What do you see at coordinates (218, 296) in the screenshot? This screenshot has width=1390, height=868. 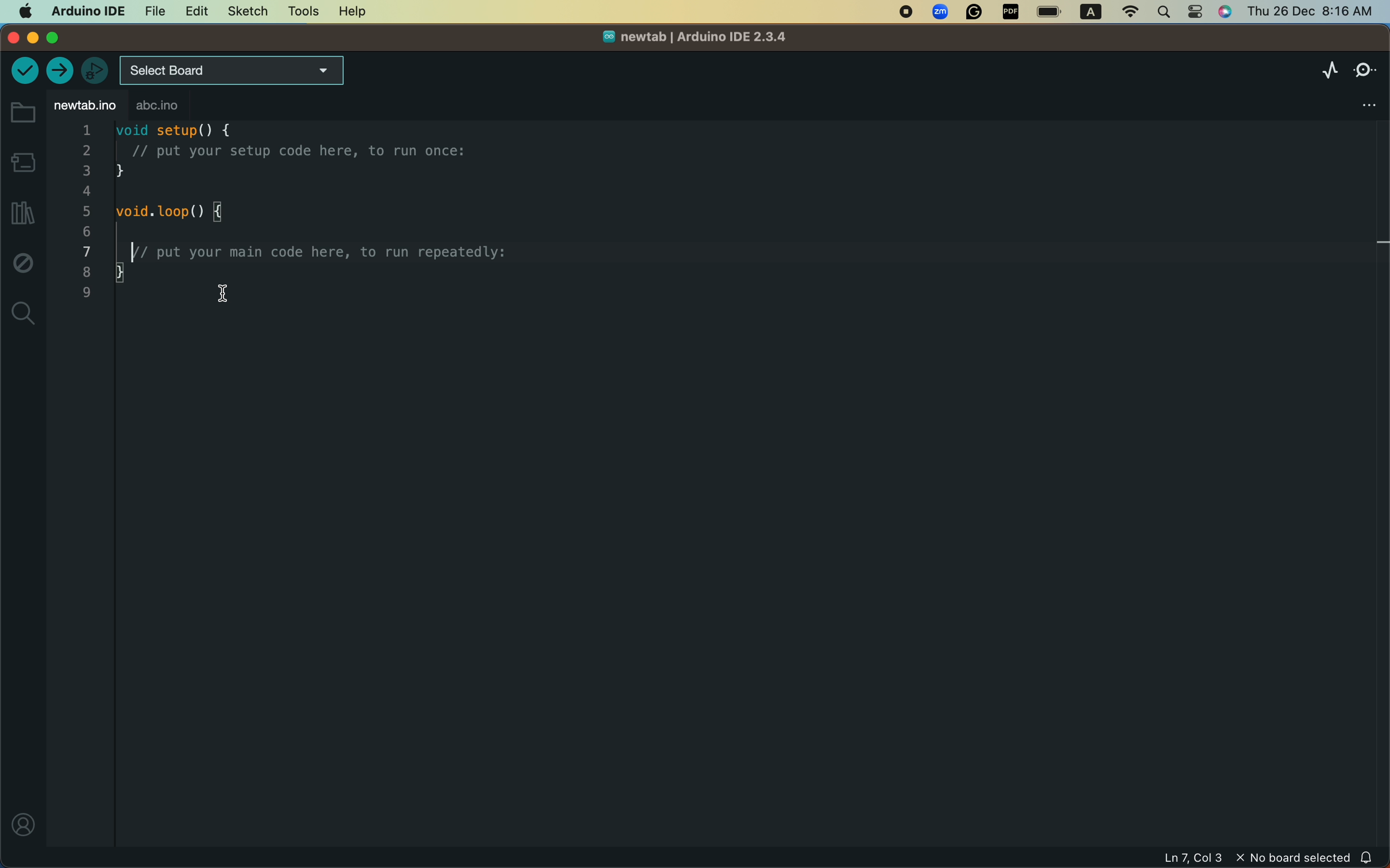 I see `curser` at bounding box center [218, 296].